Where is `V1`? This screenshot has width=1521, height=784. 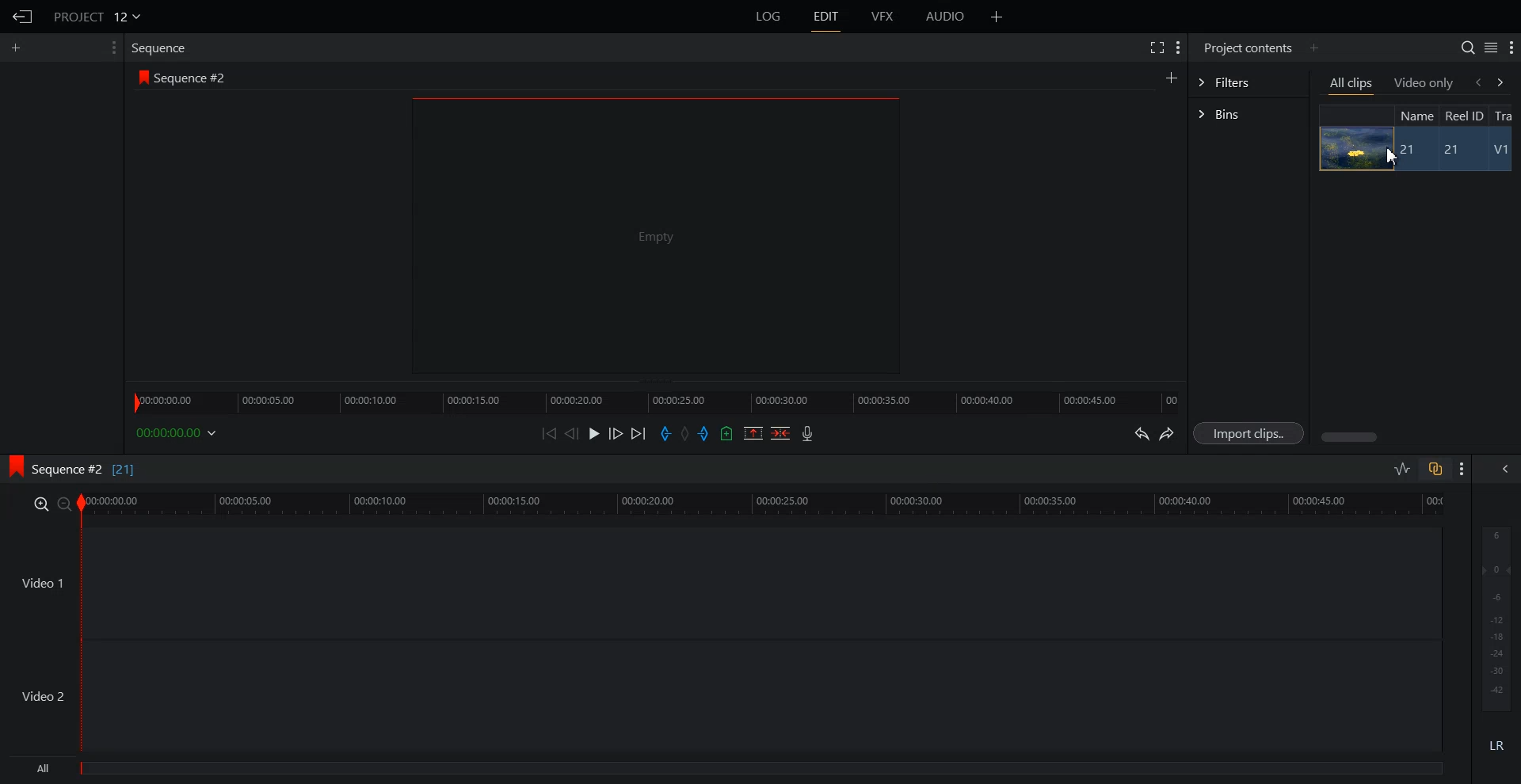
V1 is located at coordinates (1503, 151).